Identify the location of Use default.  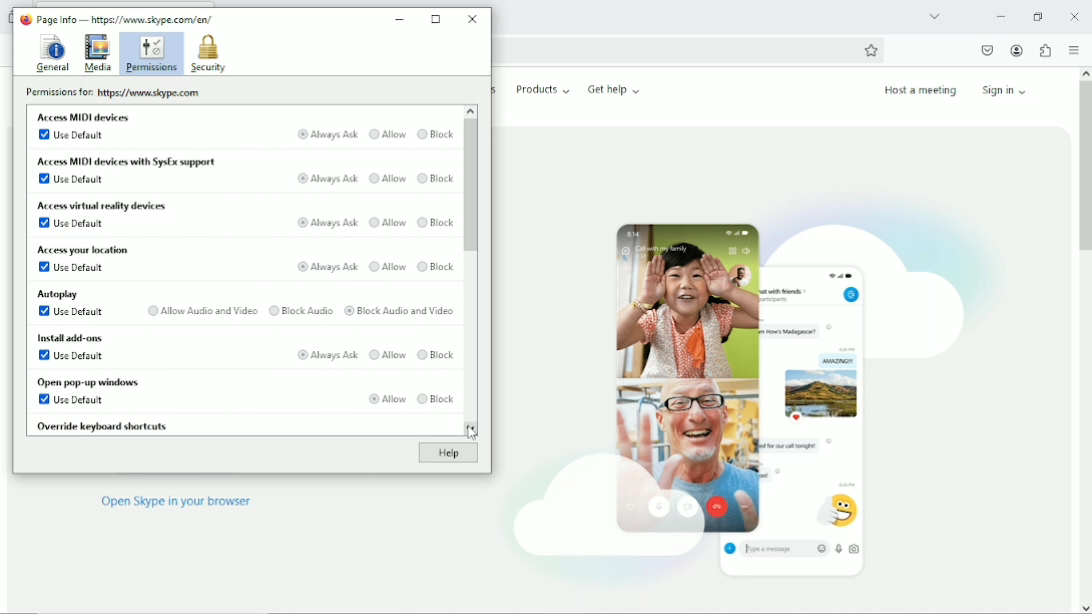
(70, 356).